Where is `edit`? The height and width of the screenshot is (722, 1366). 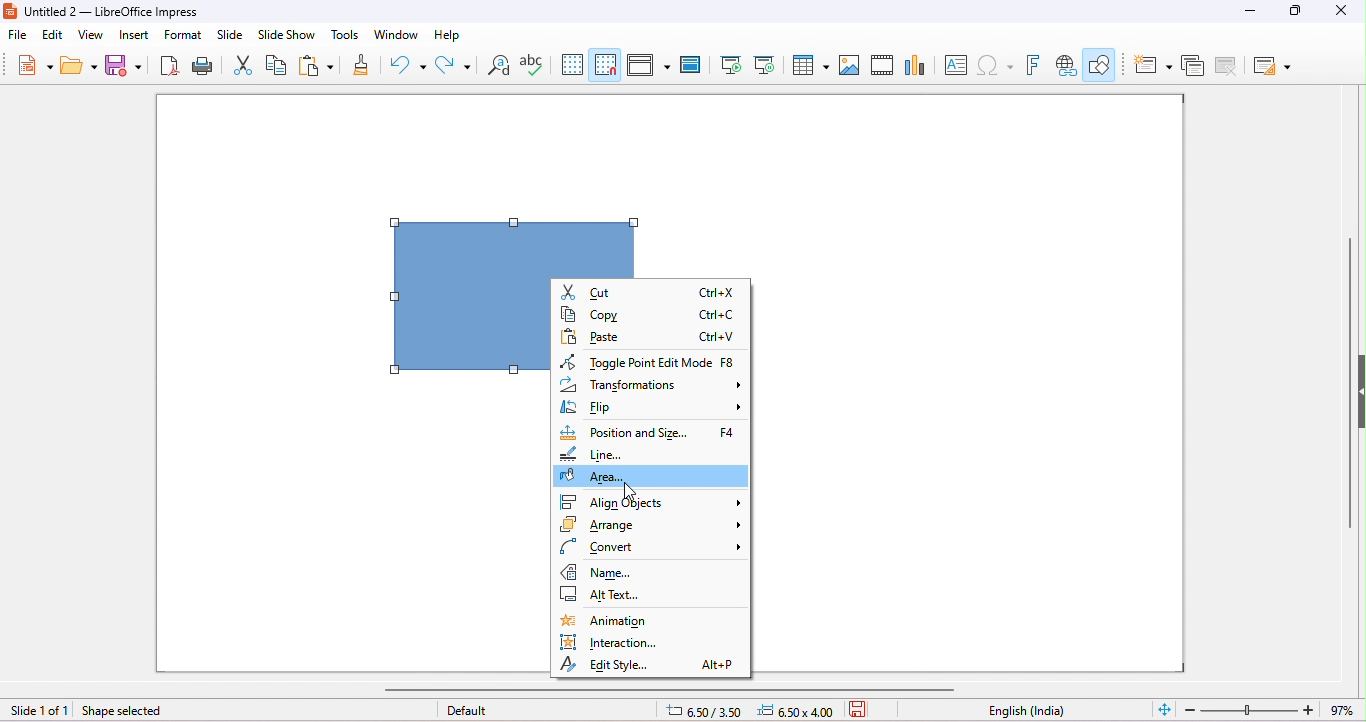 edit is located at coordinates (52, 36).